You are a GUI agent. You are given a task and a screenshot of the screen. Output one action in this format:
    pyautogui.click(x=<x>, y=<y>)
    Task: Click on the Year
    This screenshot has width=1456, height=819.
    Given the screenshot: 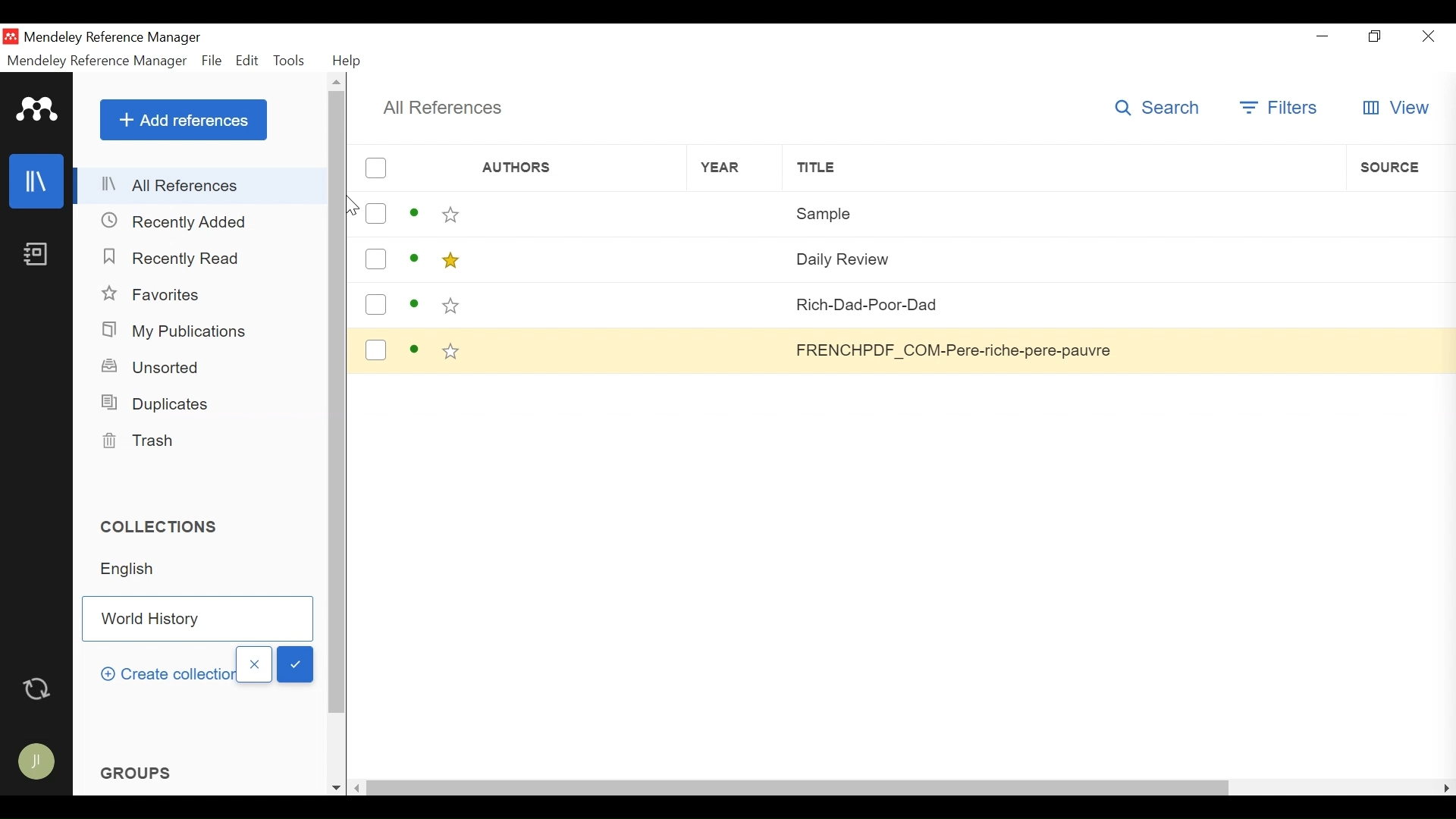 What is the action you would take?
    pyautogui.click(x=738, y=349)
    